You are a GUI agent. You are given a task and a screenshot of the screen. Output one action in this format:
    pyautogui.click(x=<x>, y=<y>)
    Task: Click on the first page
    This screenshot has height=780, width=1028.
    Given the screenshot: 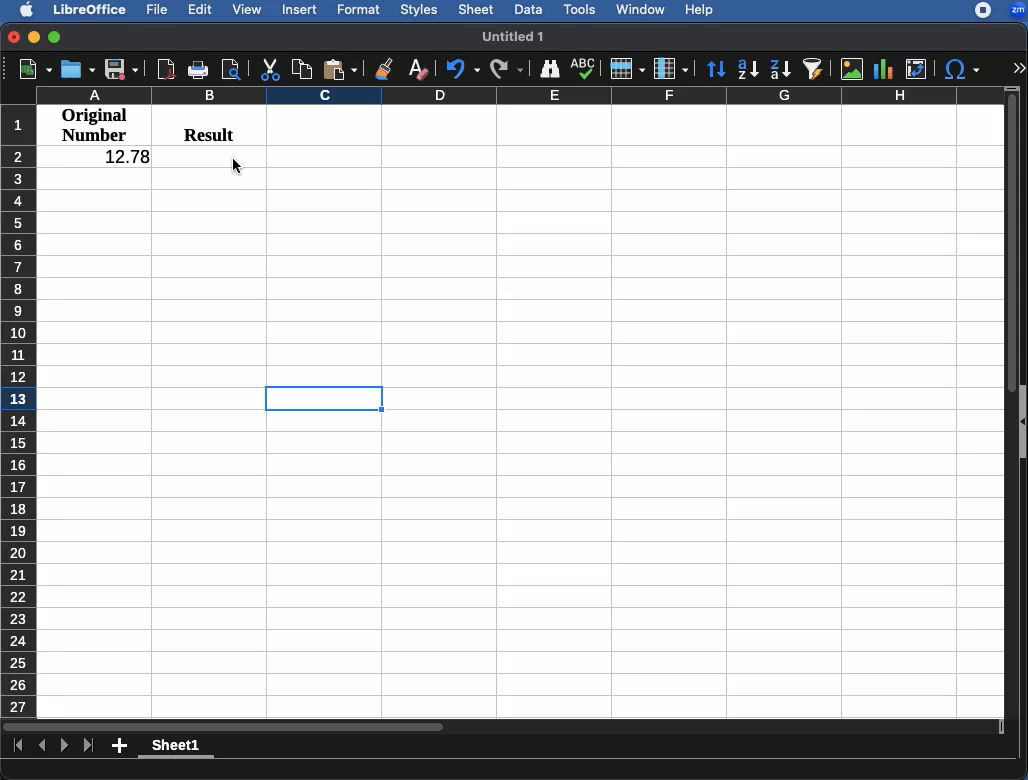 What is the action you would take?
    pyautogui.click(x=19, y=747)
    